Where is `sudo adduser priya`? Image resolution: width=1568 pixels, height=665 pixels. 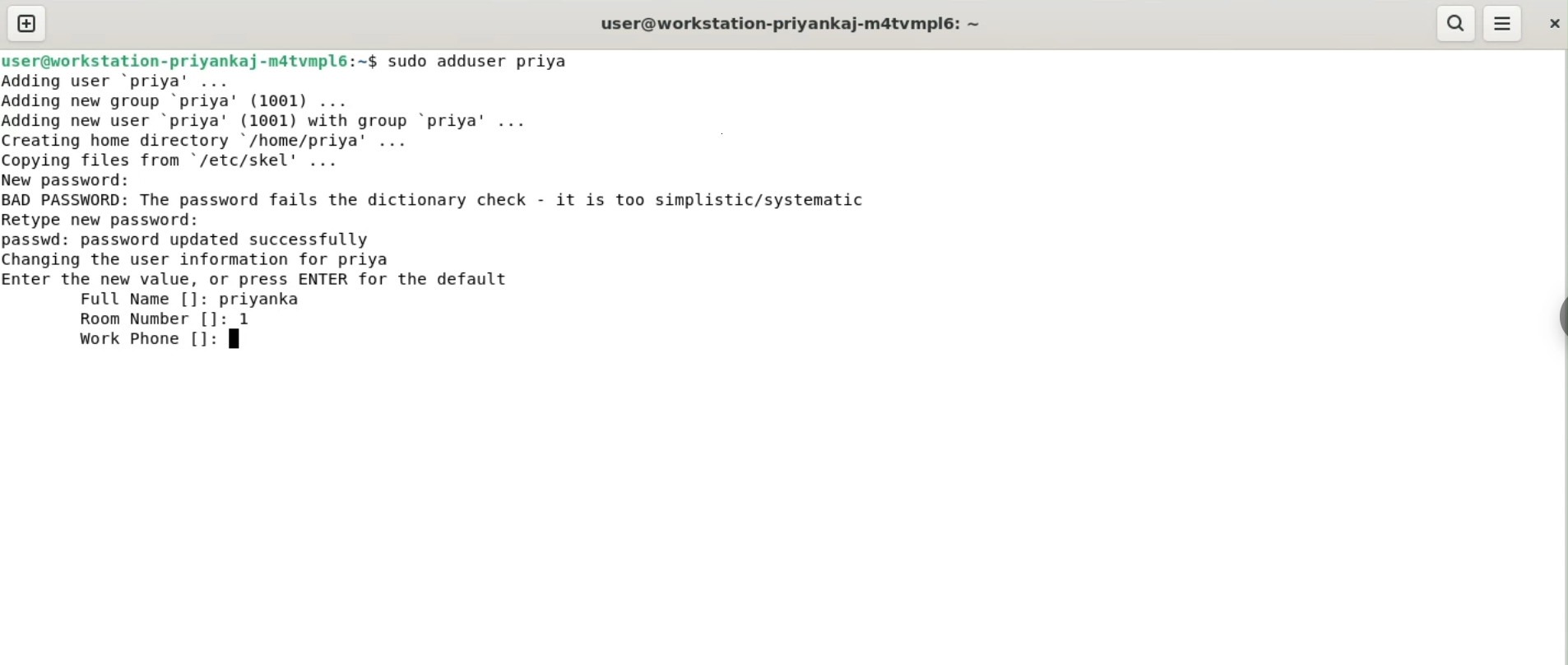
sudo adduser priya is located at coordinates (489, 61).